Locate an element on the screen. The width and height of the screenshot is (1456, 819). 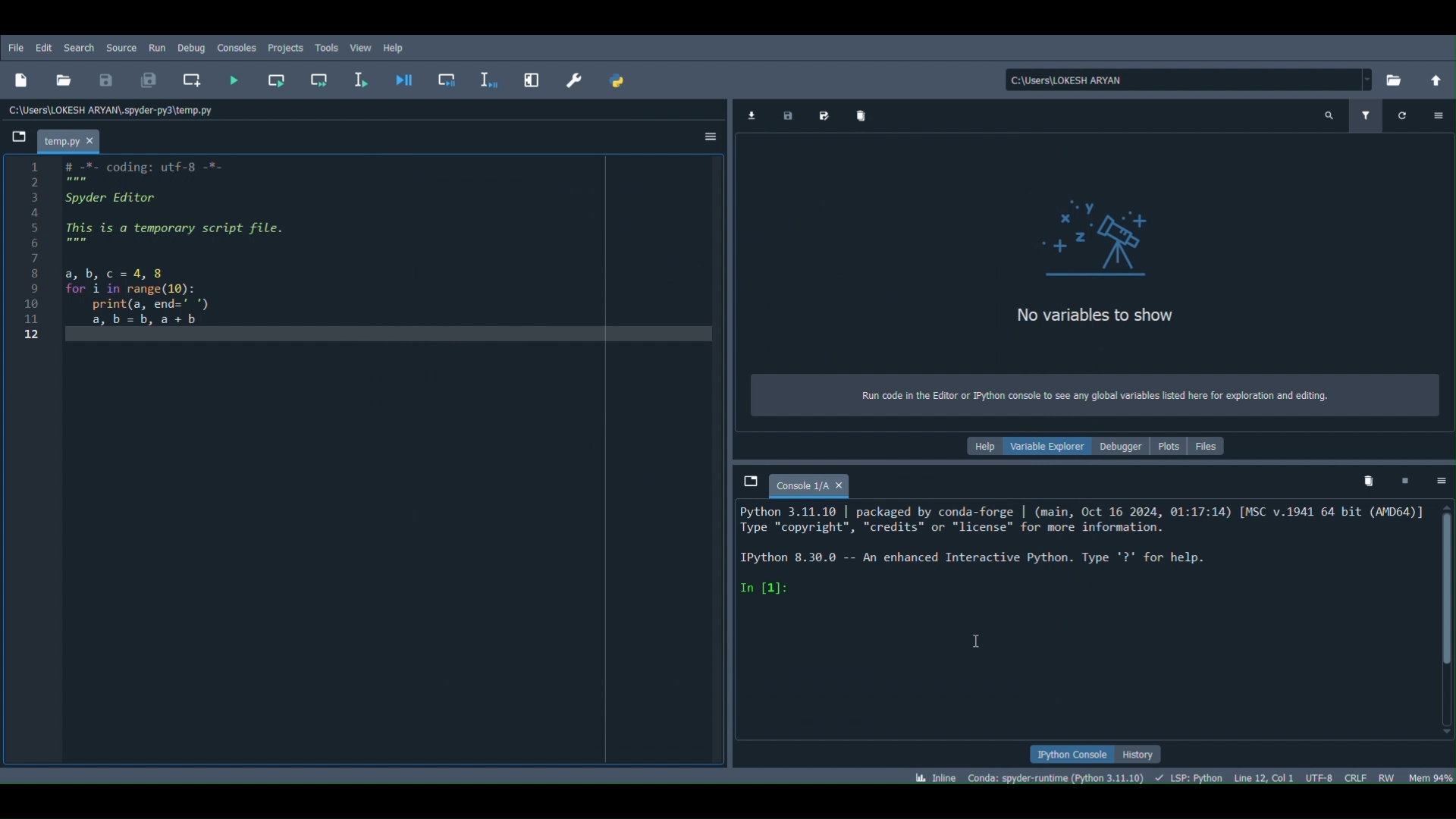
Maximize current pane (Ctrl + Alt + Shift + M) is located at coordinates (531, 78).